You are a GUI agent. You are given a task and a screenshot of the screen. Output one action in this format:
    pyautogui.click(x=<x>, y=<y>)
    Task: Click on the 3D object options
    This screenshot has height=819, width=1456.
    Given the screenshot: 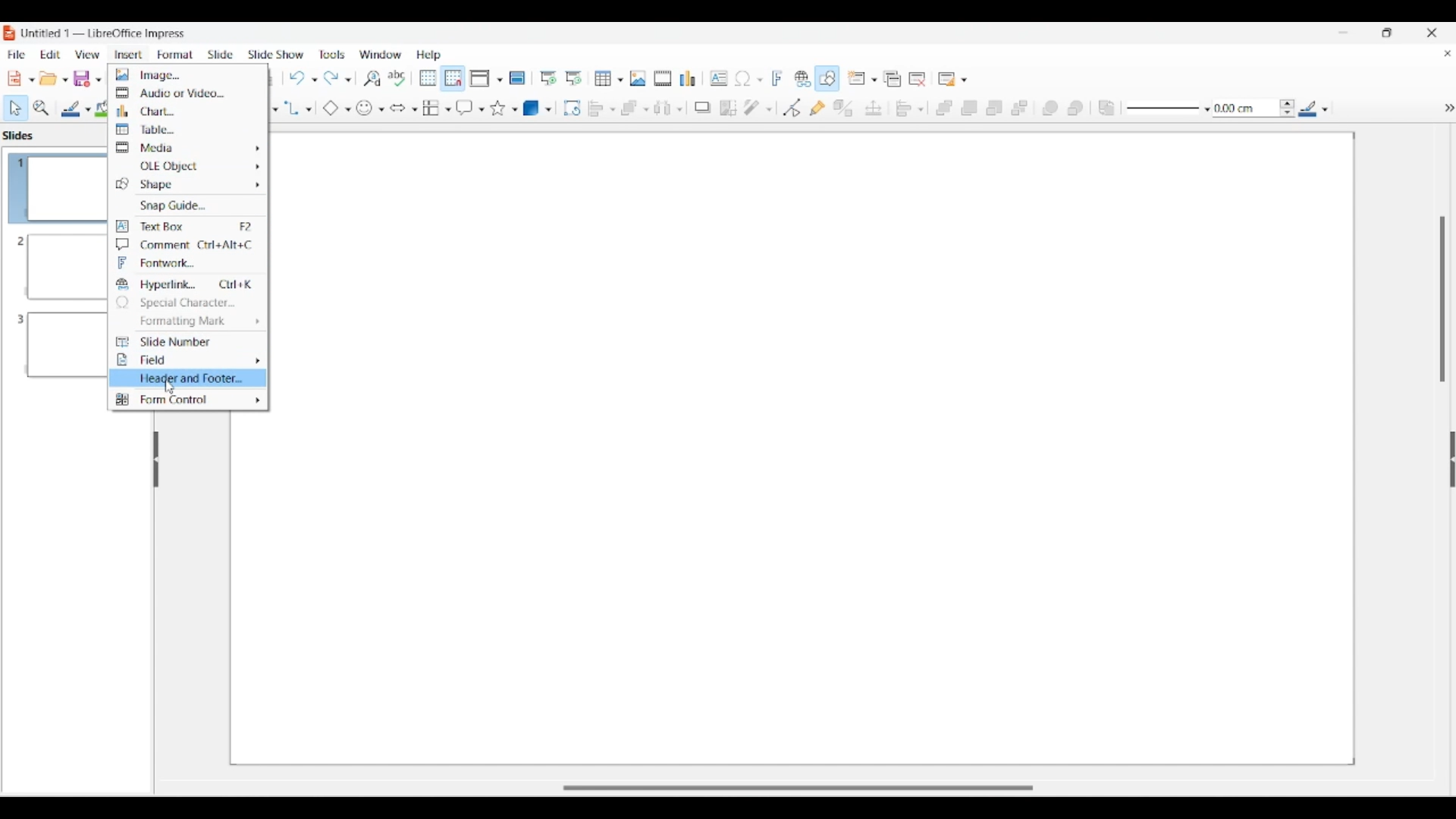 What is the action you would take?
    pyautogui.click(x=537, y=108)
    